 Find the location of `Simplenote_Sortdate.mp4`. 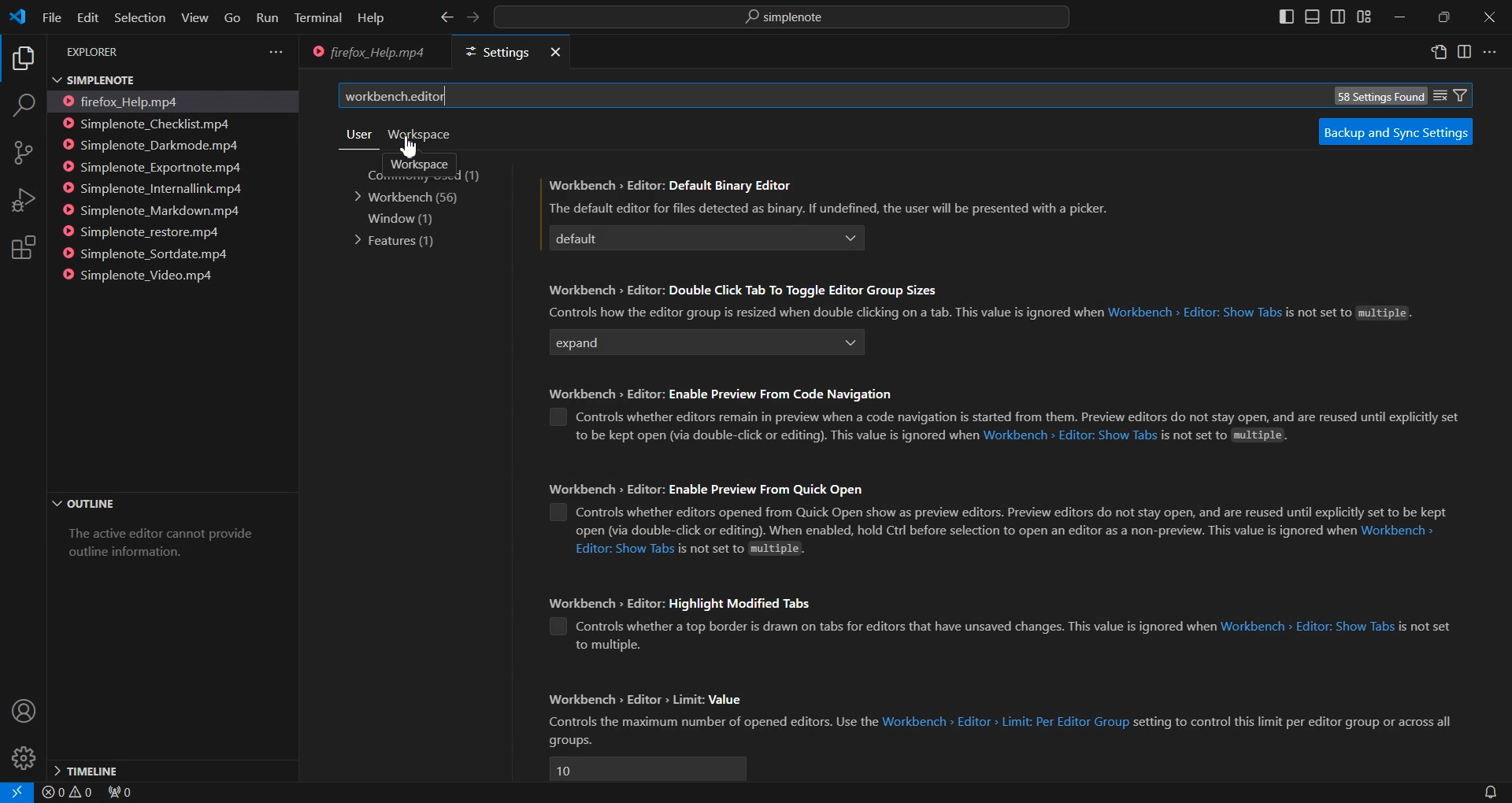

Simplenote_Sortdate.mp4 is located at coordinates (151, 253).